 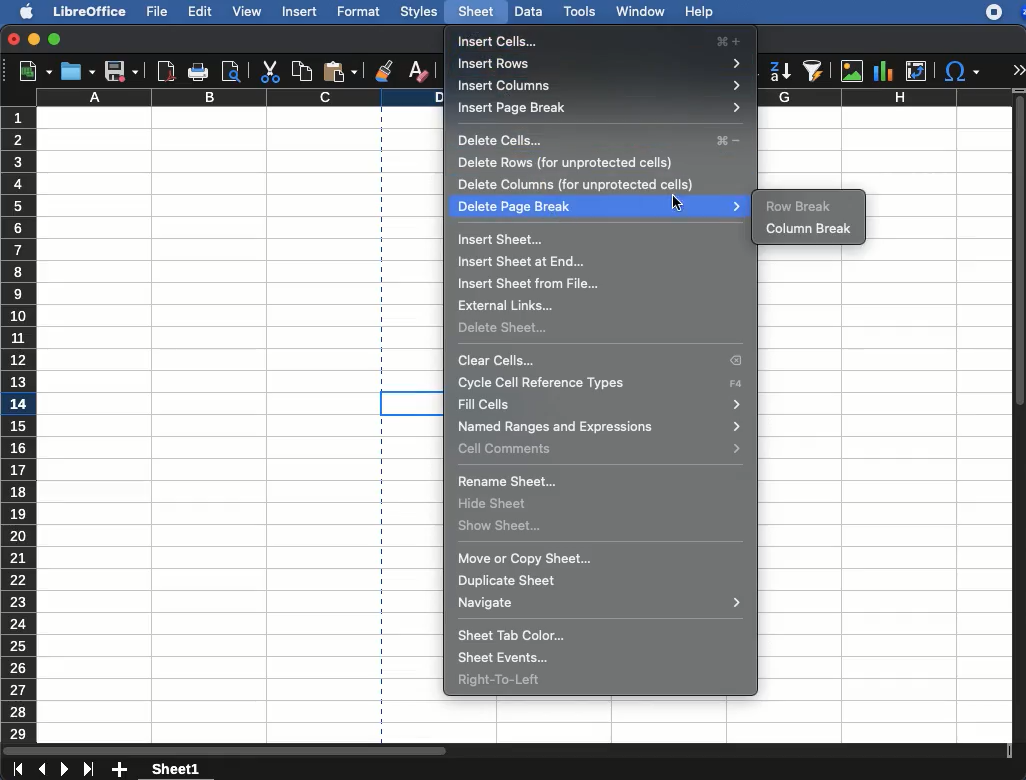 What do you see at coordinates (385, 70) in the screenshot?
I see `clone formatting` at bounding box center [385, 70].